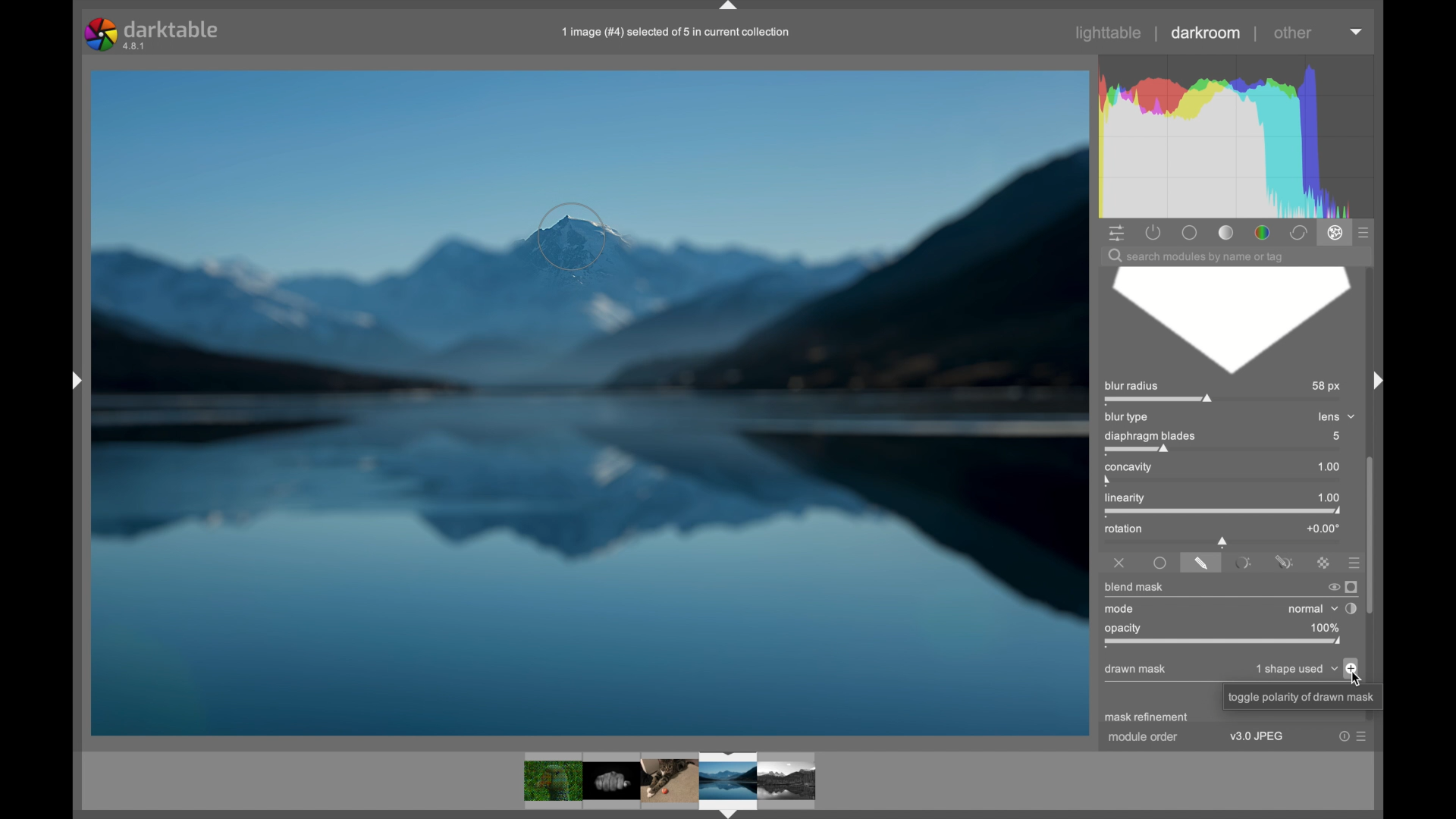 The height and width of the screenshot is (819, 1456). Describe the element at coordinates (1261, 232) in the screenshot. I see `color` at that location.